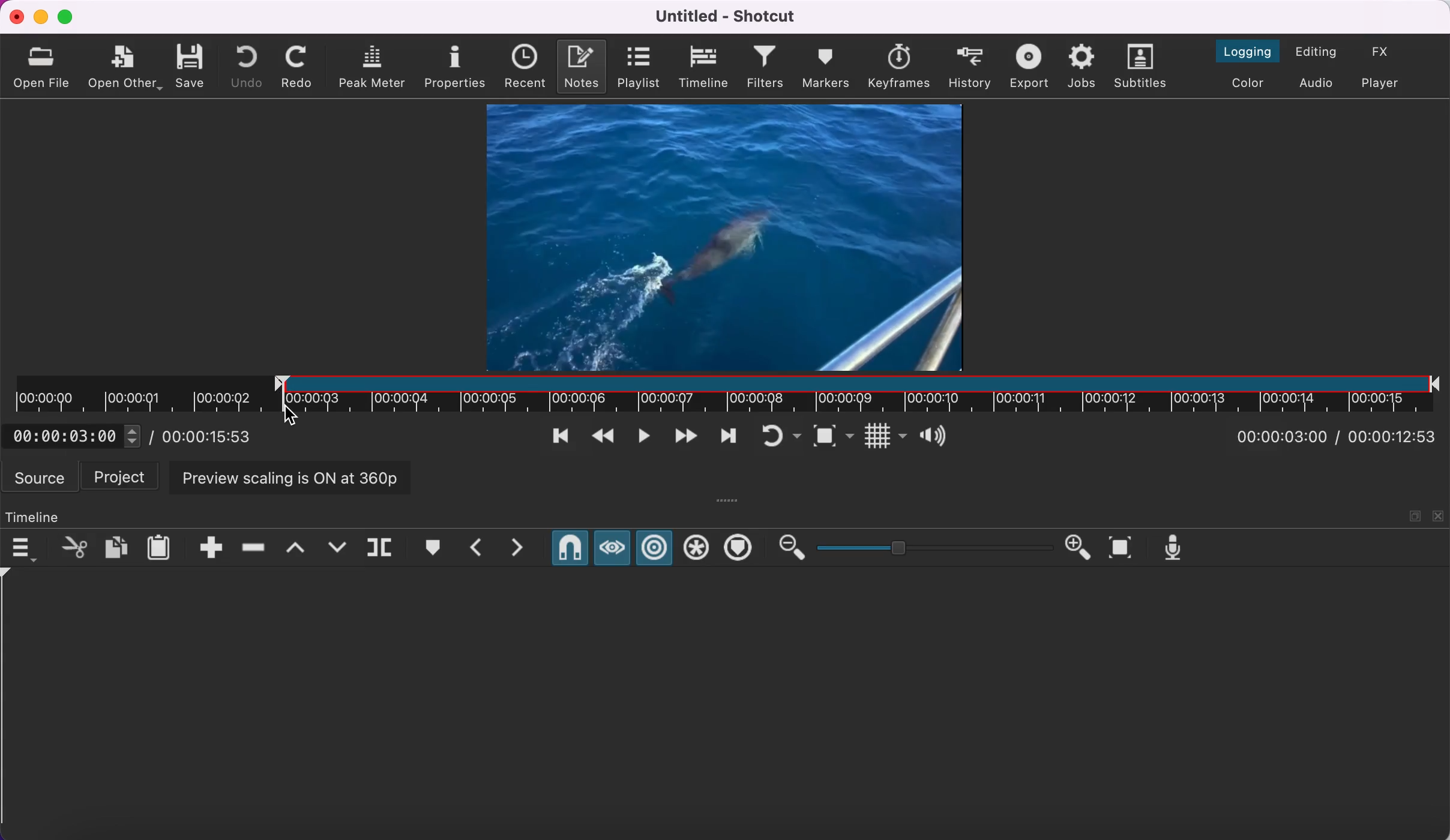 The height and width of the screenshot is (840, 1450). Describe the element at coordinates (34, 517) in the screenshot. I see `timeline panel` at that location.